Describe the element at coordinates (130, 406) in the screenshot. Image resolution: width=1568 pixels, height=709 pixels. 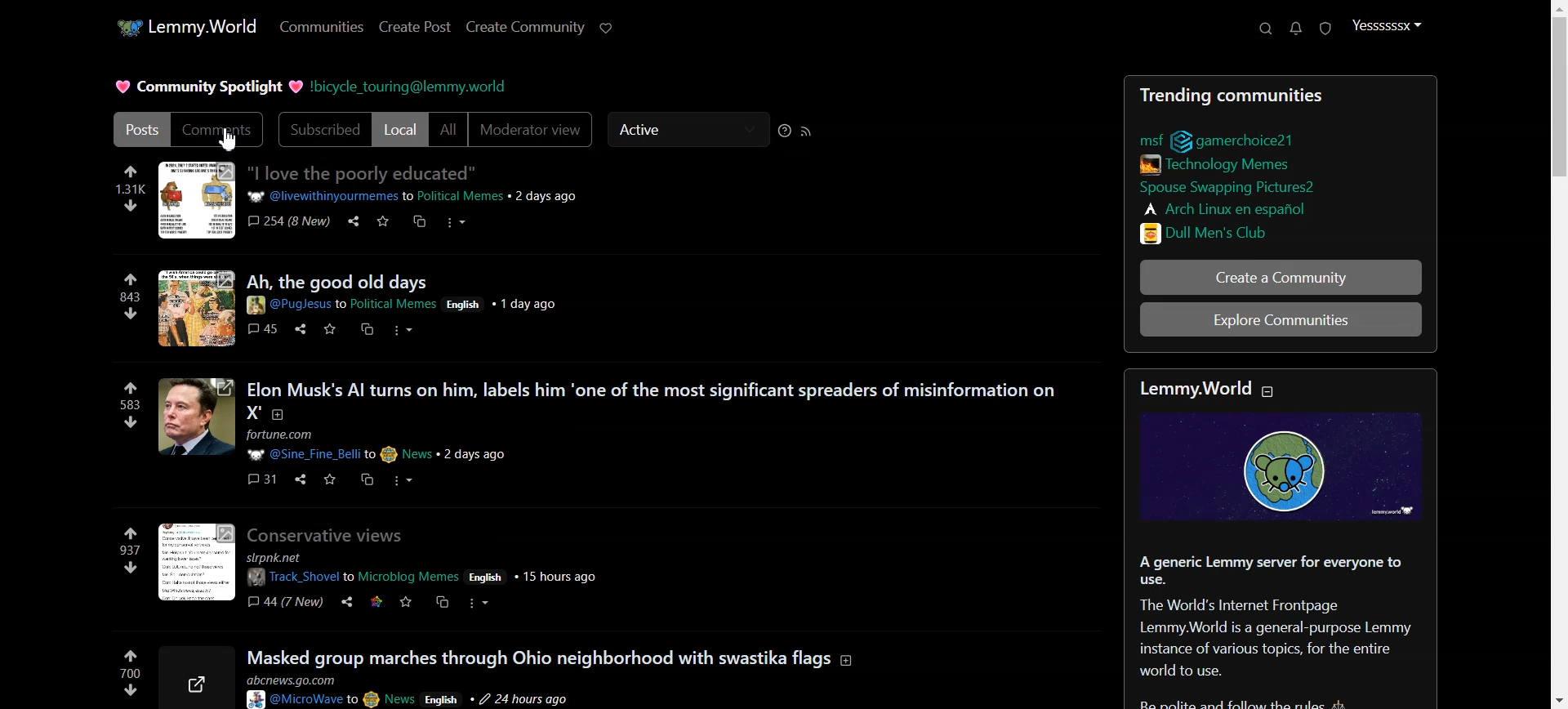
I see `583` at that location.